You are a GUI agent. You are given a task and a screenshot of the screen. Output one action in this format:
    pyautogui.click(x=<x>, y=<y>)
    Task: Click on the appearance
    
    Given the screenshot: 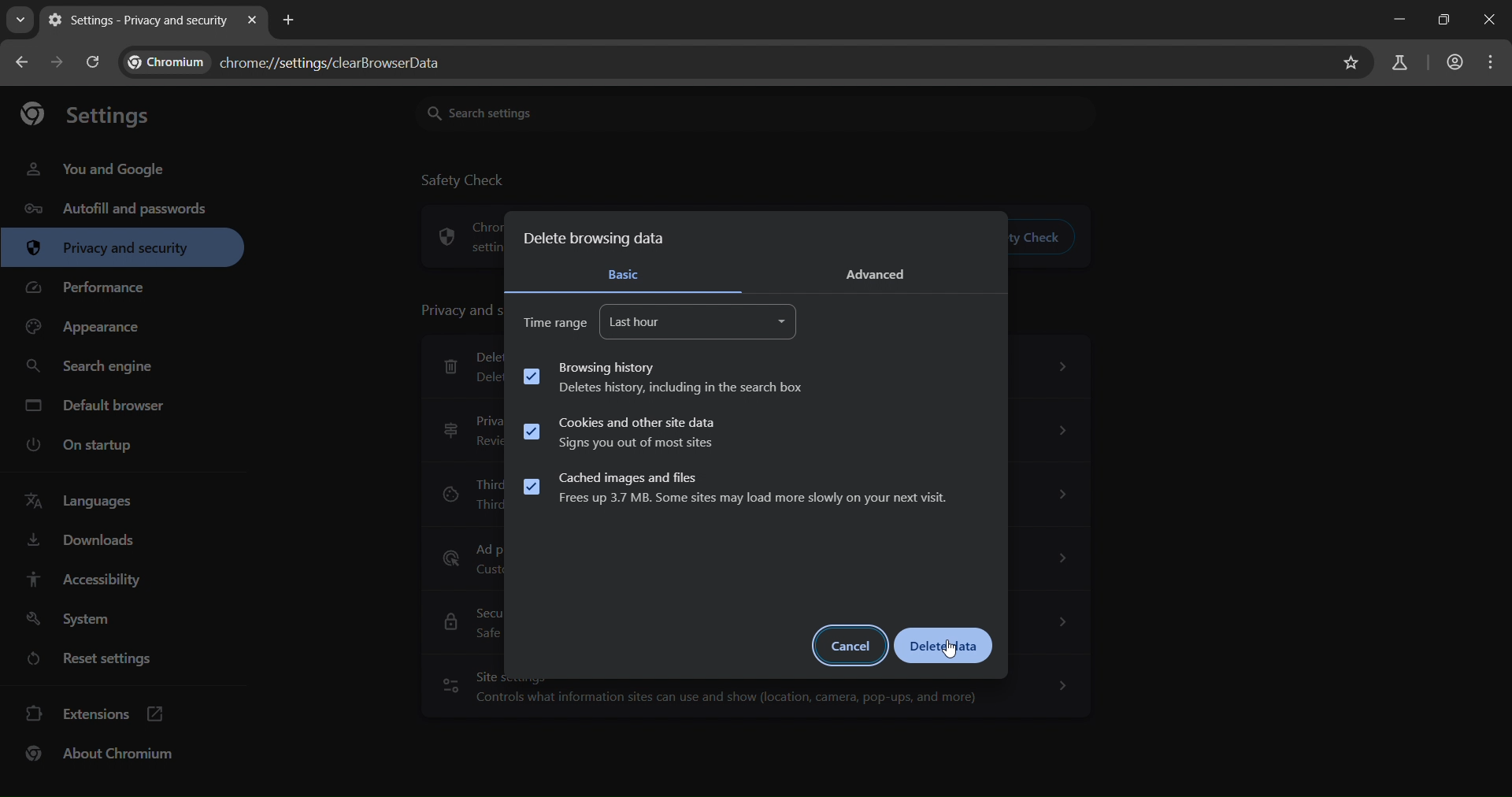 What is the action you would take?
    pyautogui.click(x=87, y=328)
    